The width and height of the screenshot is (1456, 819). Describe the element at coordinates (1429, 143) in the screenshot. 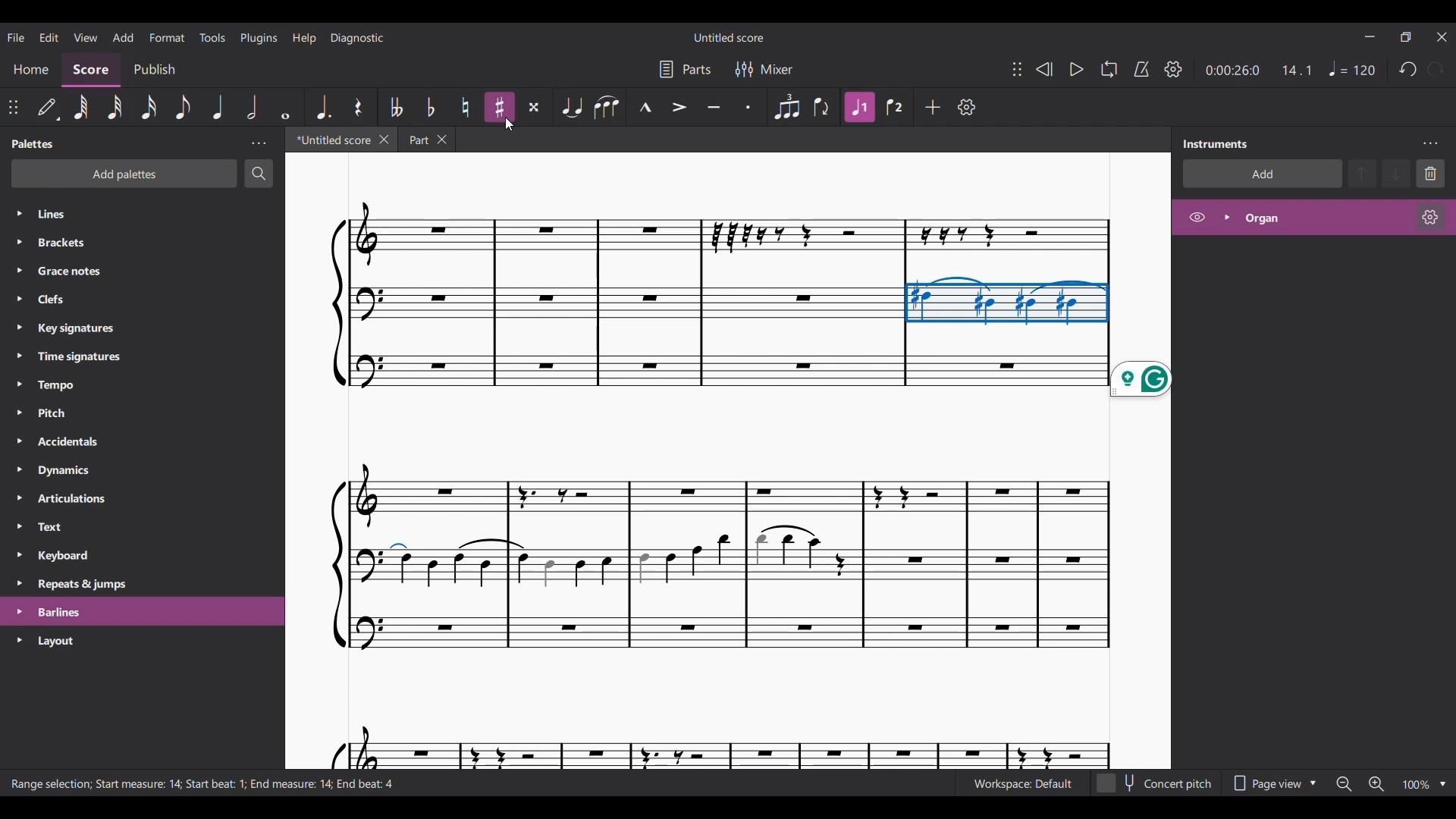

I see `Instruments panel settings` at that location.